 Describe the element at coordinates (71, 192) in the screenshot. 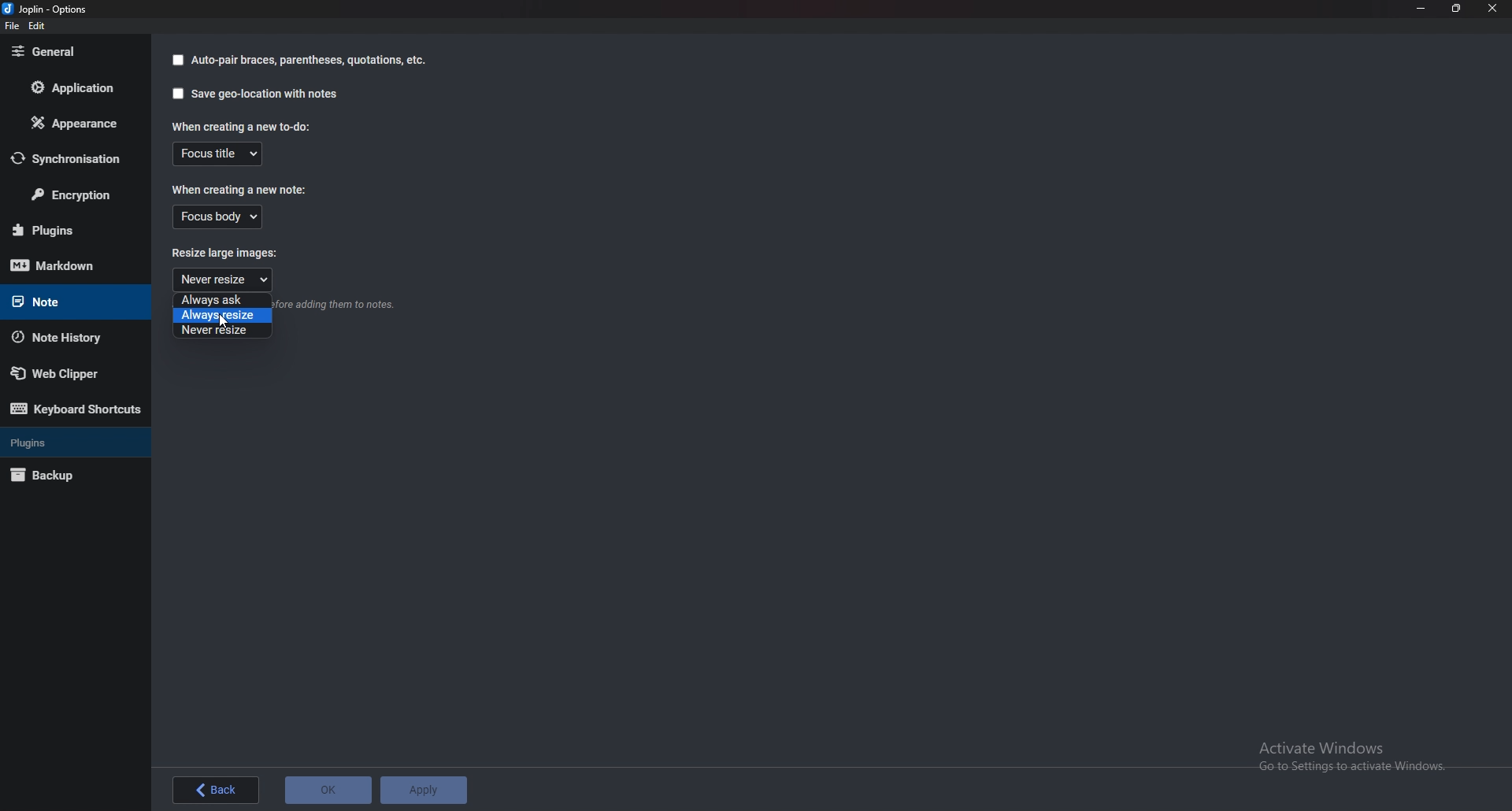

I see `encryption` at that location.